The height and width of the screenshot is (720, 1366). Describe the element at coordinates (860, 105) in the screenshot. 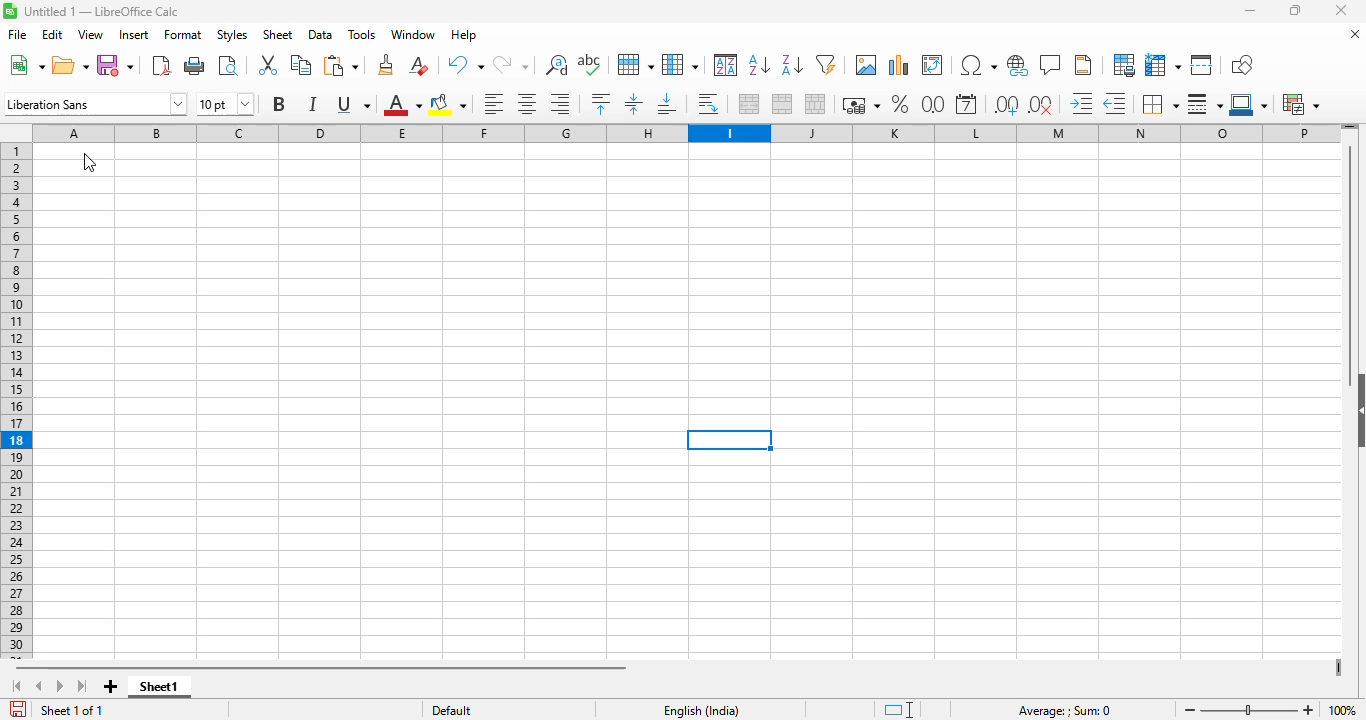

I see `format as currency` at that location.